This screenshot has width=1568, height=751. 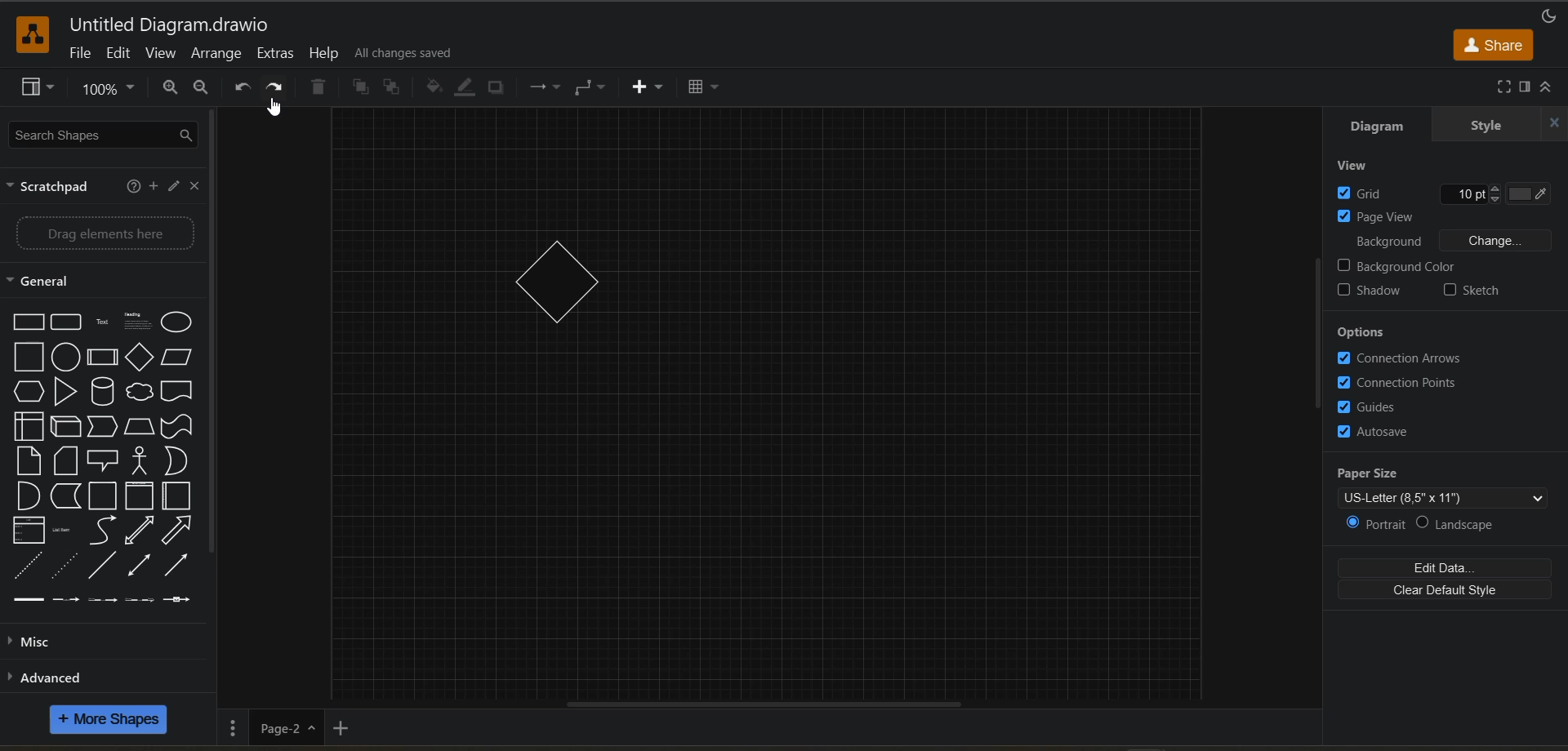 I want to click on heading, so click(x=138, y=323).